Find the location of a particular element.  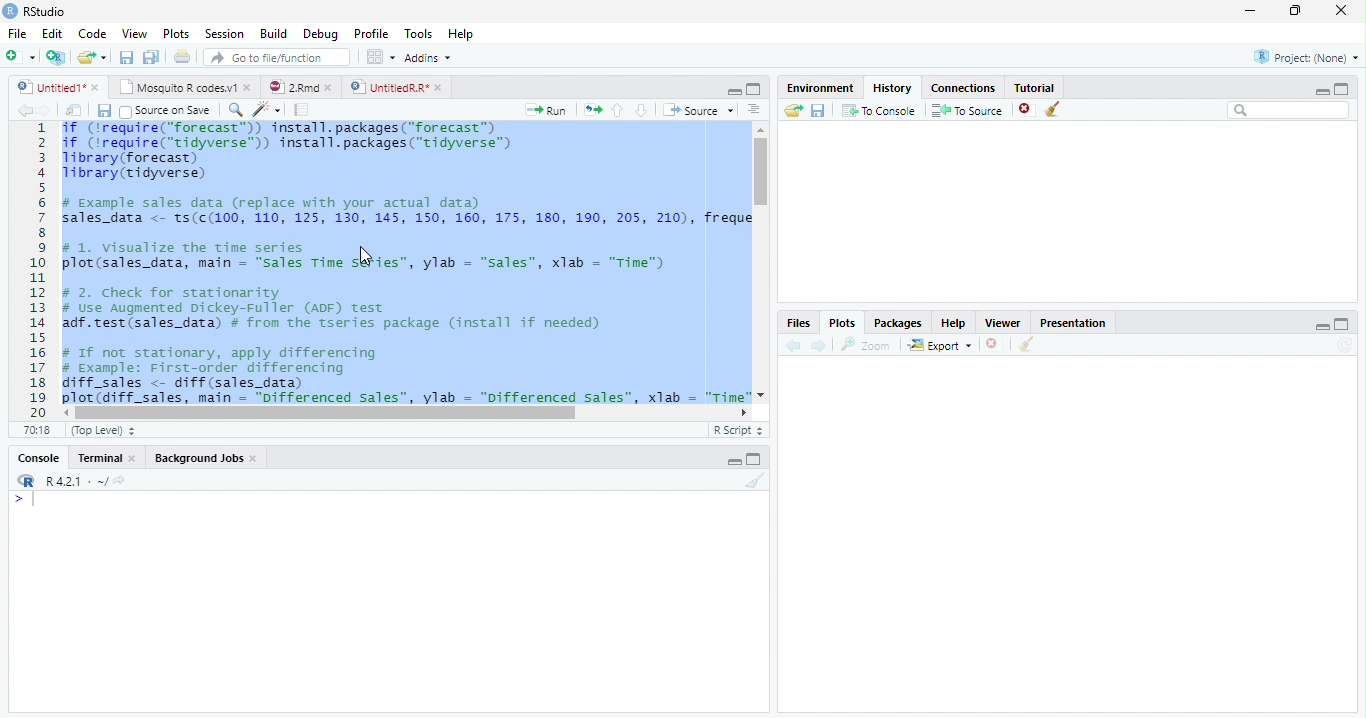

Open Folder is located at coordinates (93, 55).